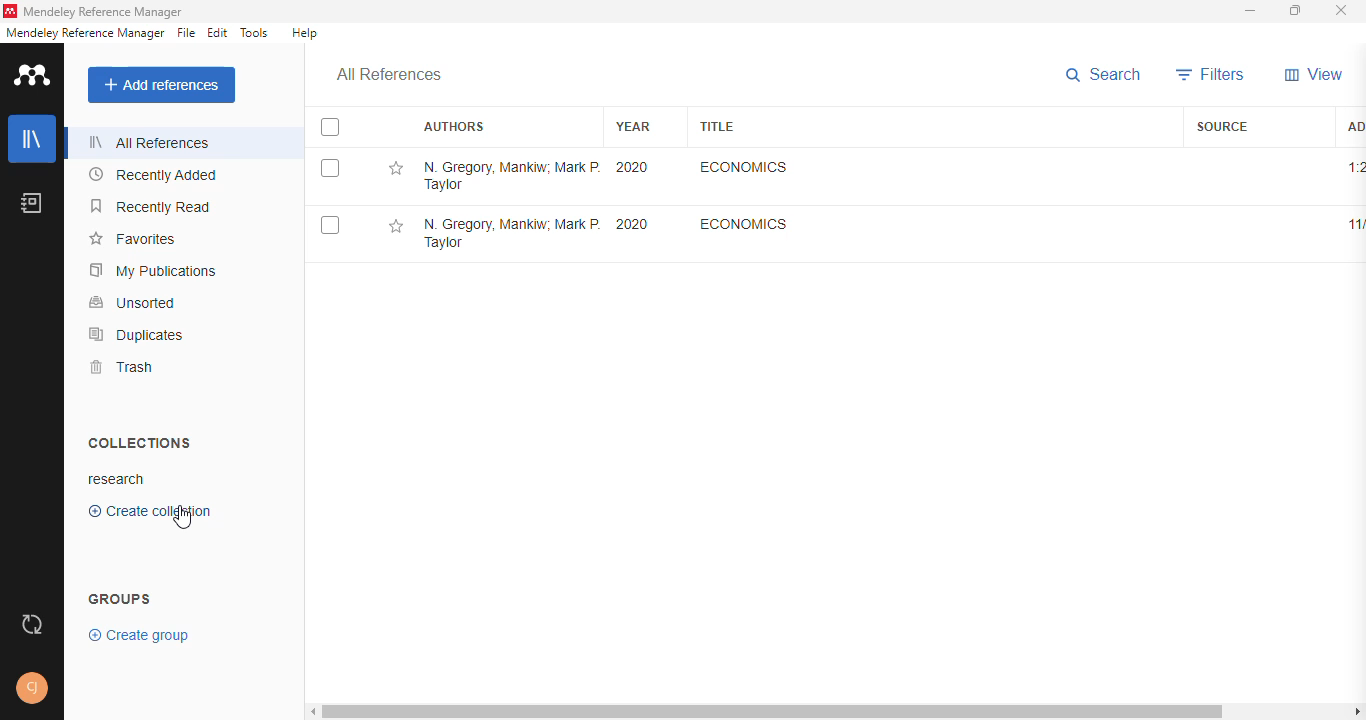 The height and width of the screenshot is (720, 1366). Describe the element at coordinates (255, 33) in the screenshot. I see `tools` at that location.